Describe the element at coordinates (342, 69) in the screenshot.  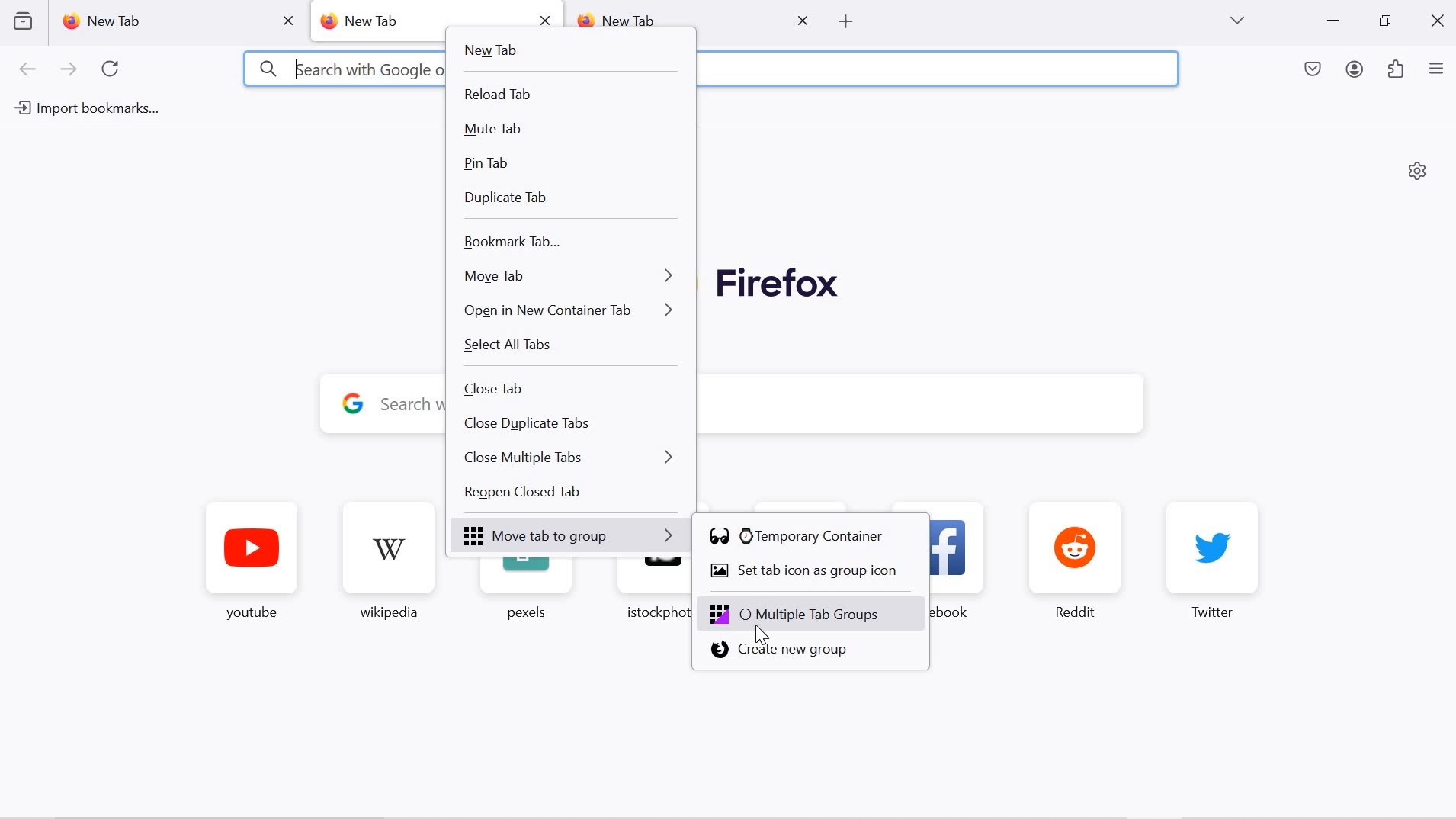
I see `3 kearch with Google or enter address` at that location.